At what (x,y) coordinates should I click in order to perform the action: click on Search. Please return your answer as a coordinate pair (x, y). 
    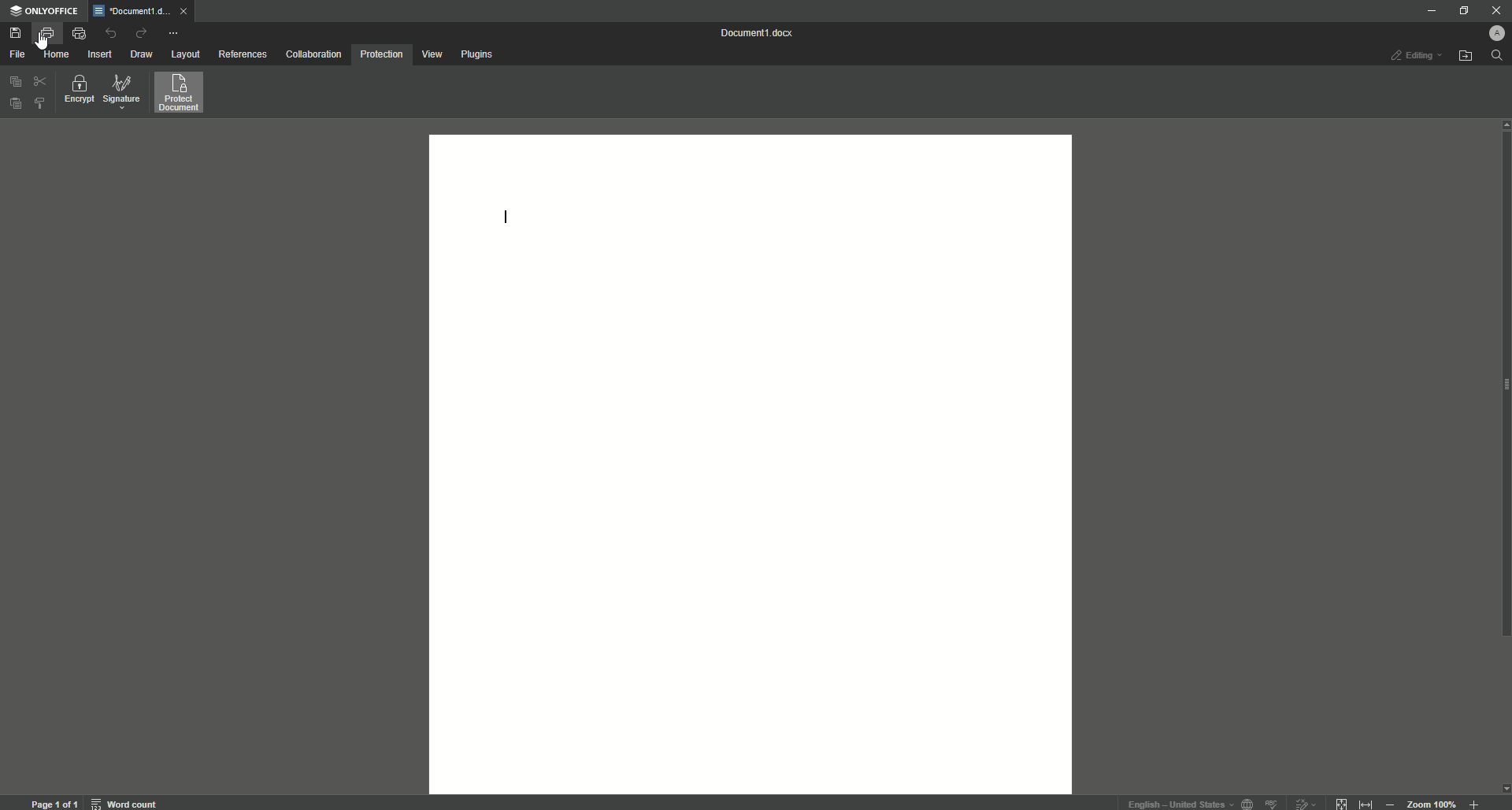
    Looking at the image, I should click on (1498, 60).